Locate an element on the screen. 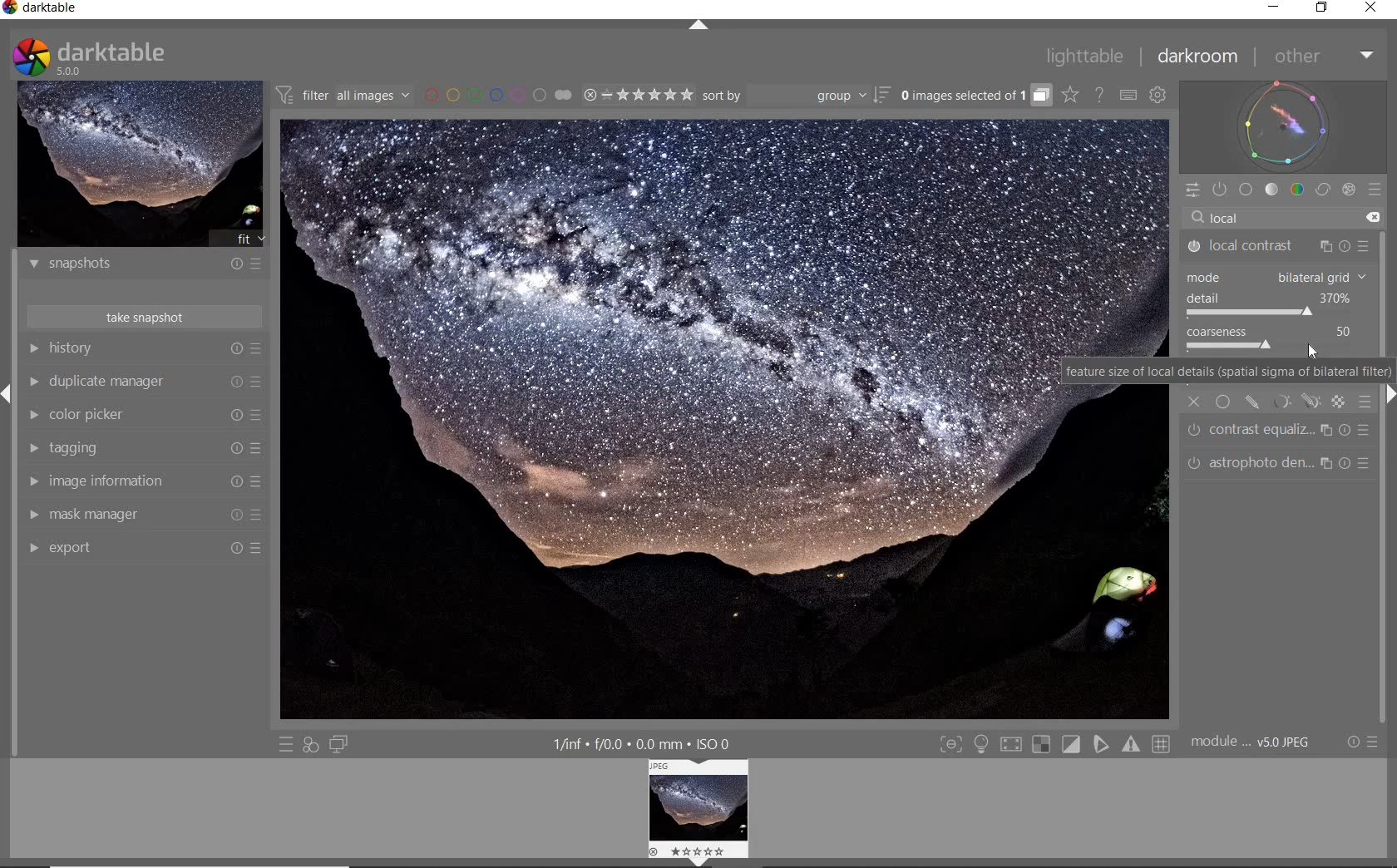  clear is located at coordinates (1375, 215).